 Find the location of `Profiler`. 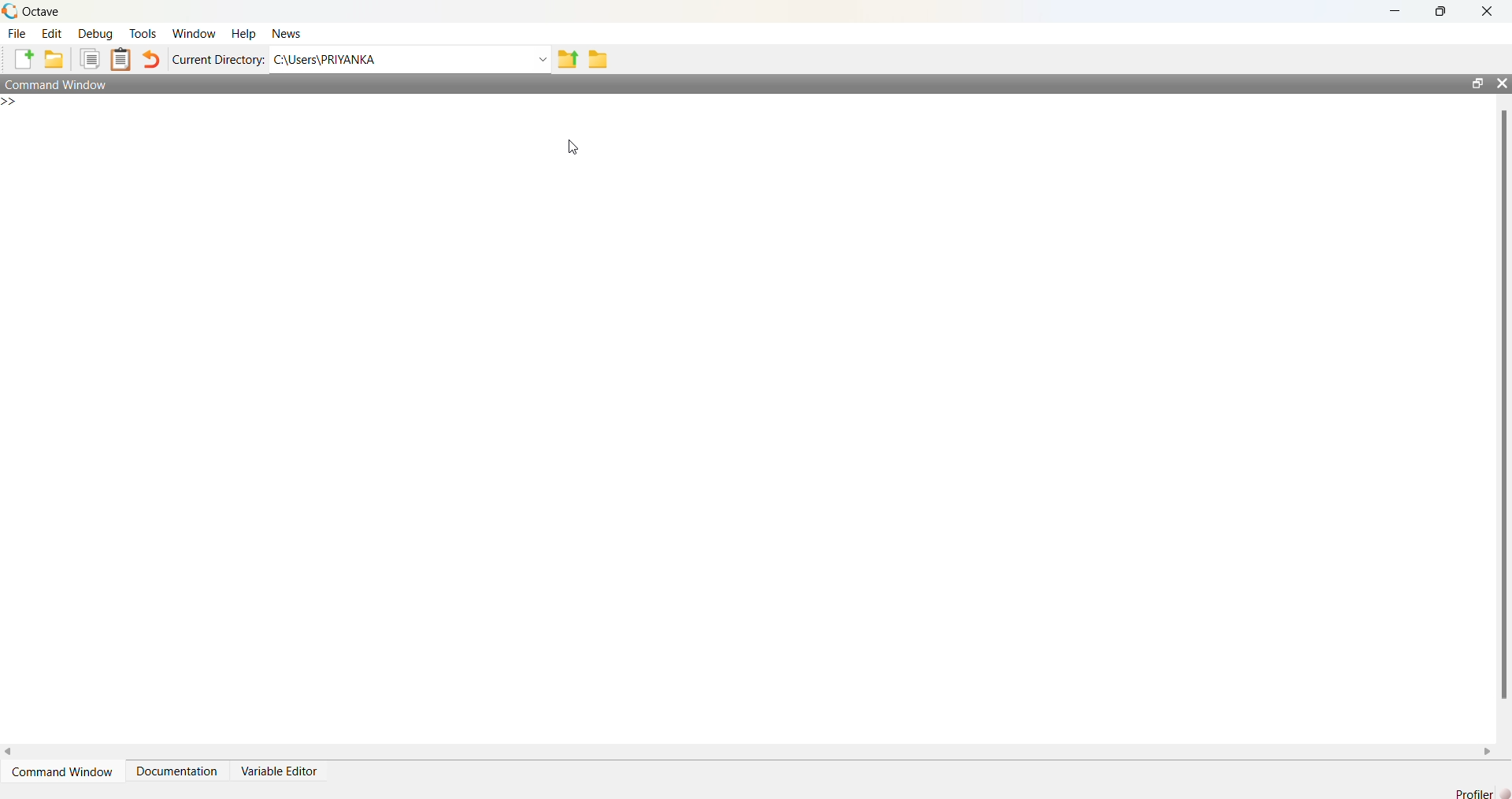

Profiler is located at coordinates (1474, 793).